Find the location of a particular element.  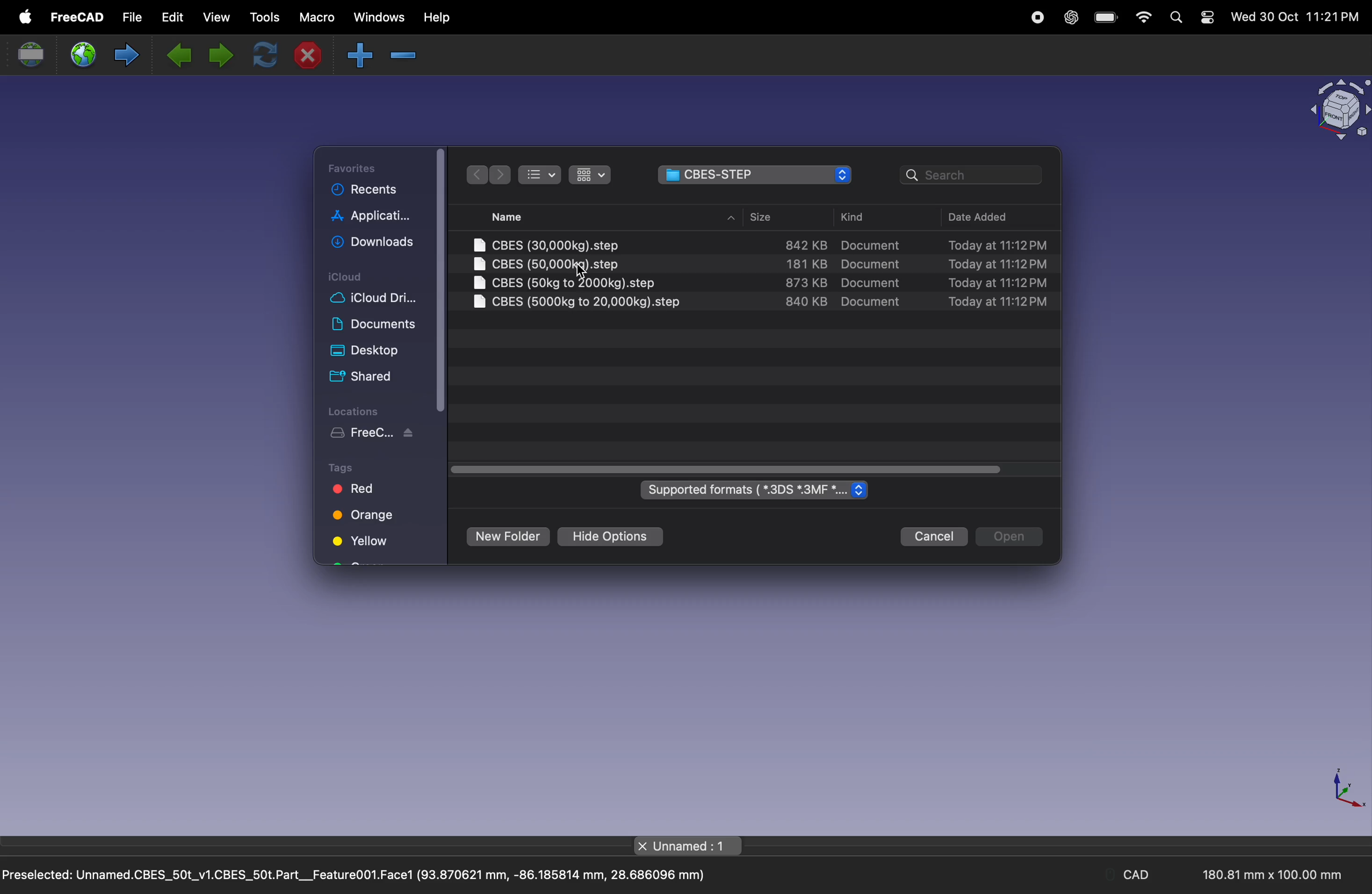

up is located at coordinates (730, 219).